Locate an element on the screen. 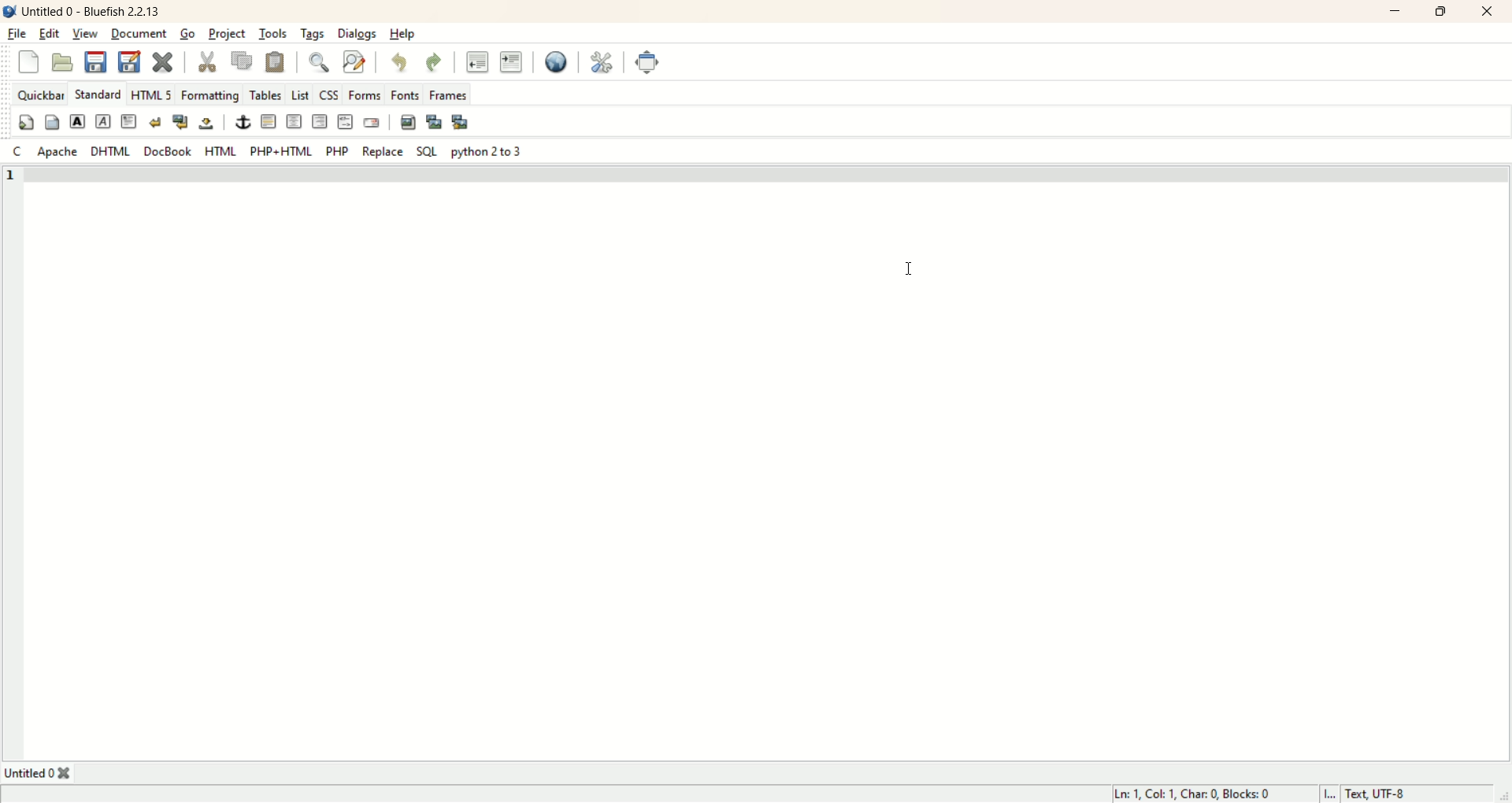 This screenshot has height=803, width=1512. indent is located at coordinates (511, 61).